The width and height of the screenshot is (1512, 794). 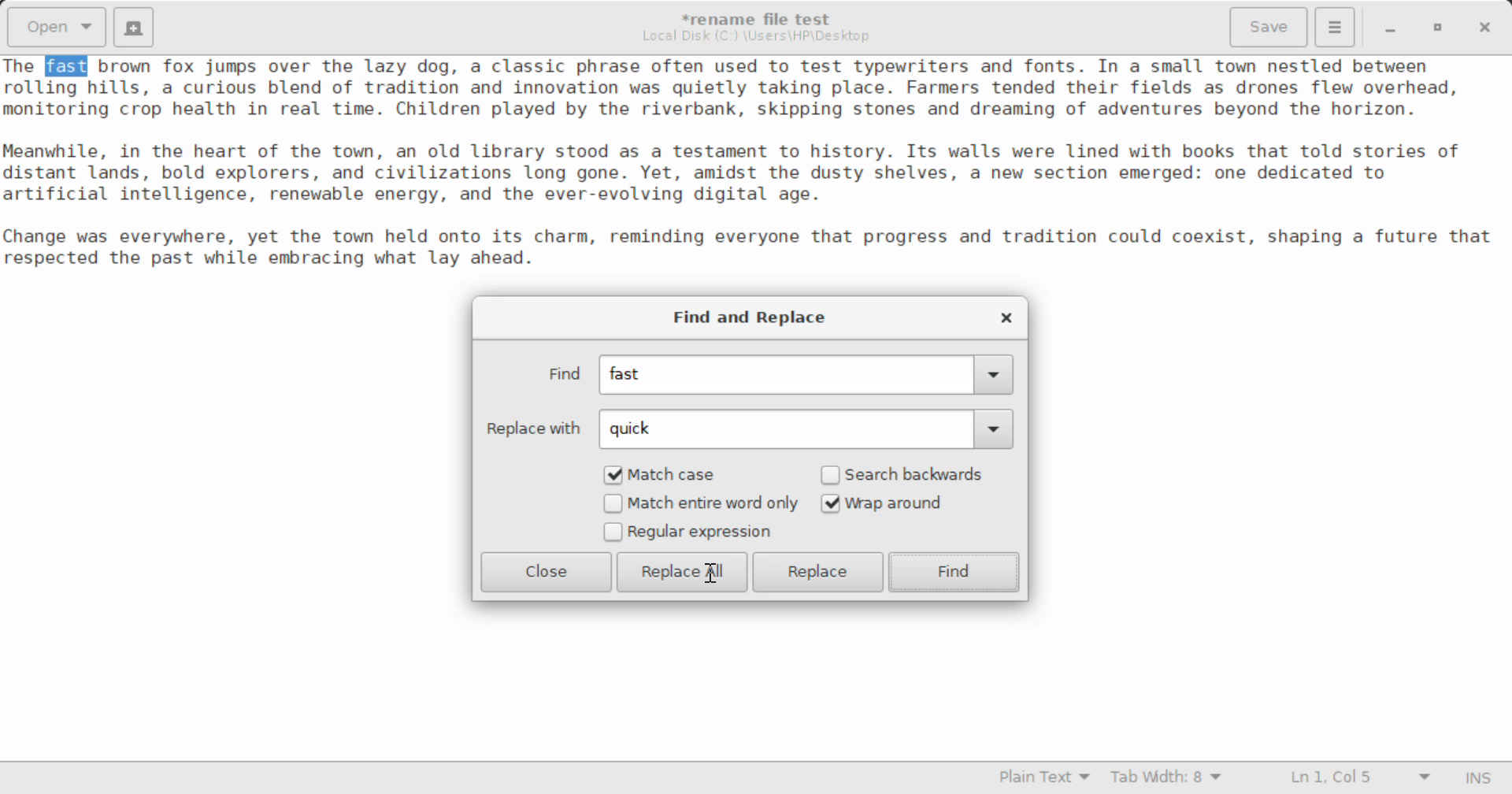 What do you see at coordinates (821, 572) in the screenshot?
I see `Replace` at bounding box center [821, 572].